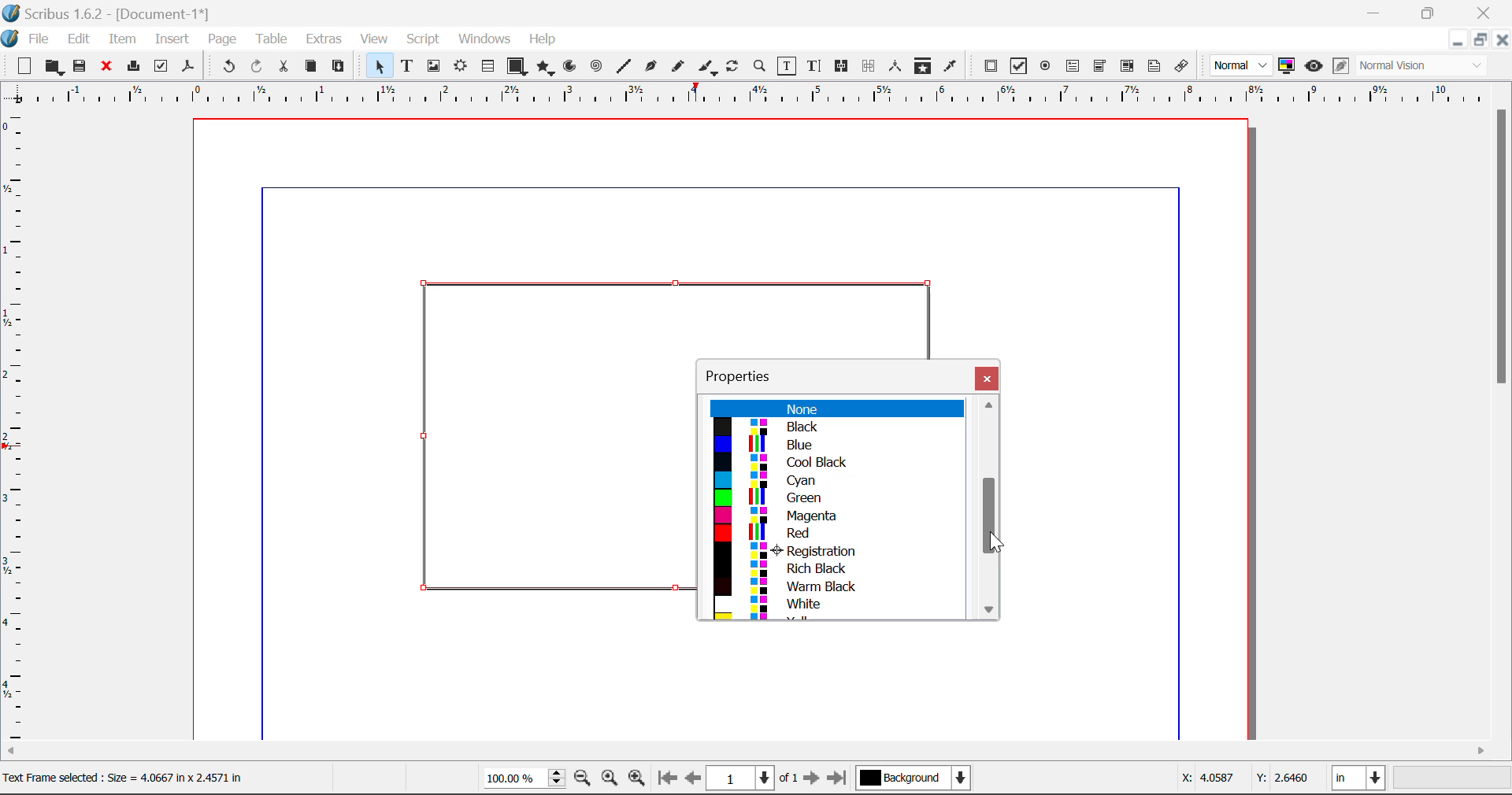  What do you see at coordinates (676, 67) in the screenshot?
I see `Freehand Line` at bounding box center [676, 67].